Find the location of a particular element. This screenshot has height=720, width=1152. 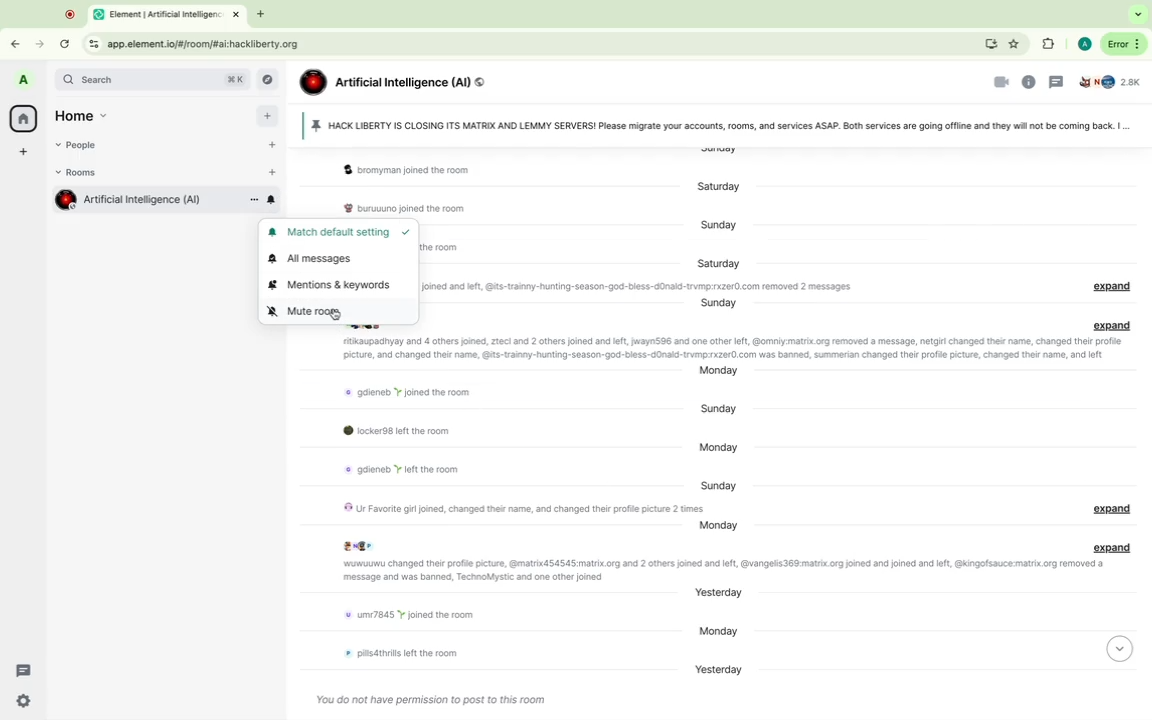

Install element is located at coordinates (988, 43).